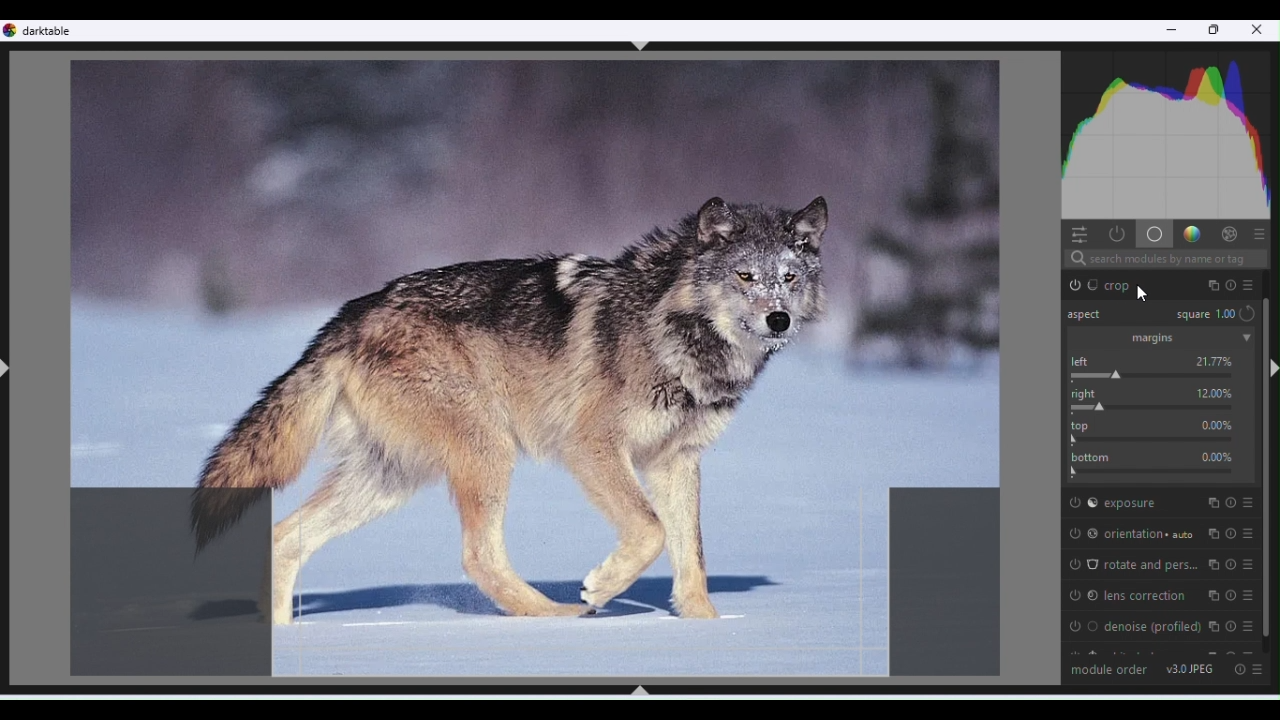 Image resolution: width=1280 pixels, height=720 pixels. Describe the element at coordinates (1248, 313) in the screenshot. I see `reset` at that location.